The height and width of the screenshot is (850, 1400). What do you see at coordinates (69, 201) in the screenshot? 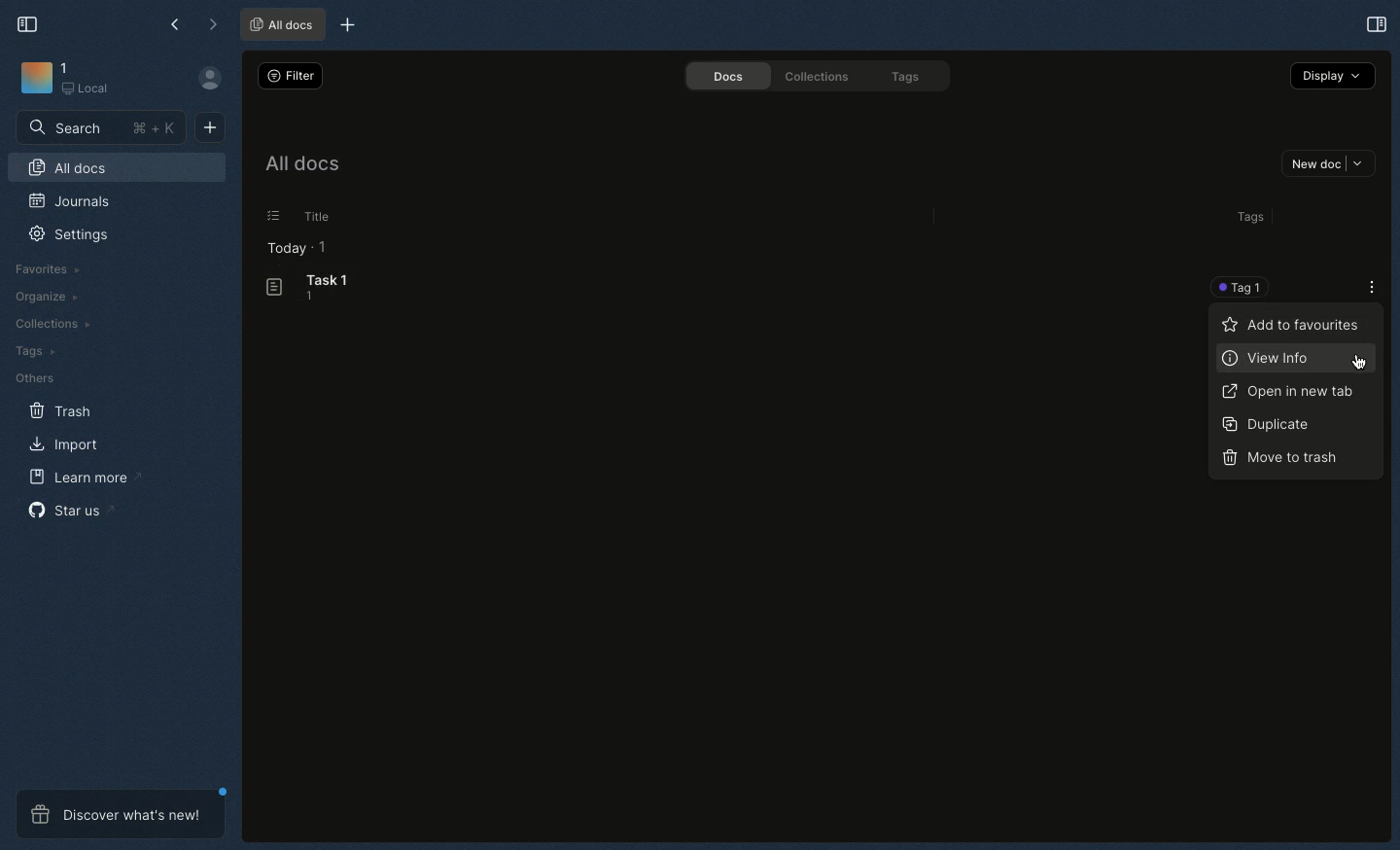
I see `Journals` at bounding box center [69, 201].